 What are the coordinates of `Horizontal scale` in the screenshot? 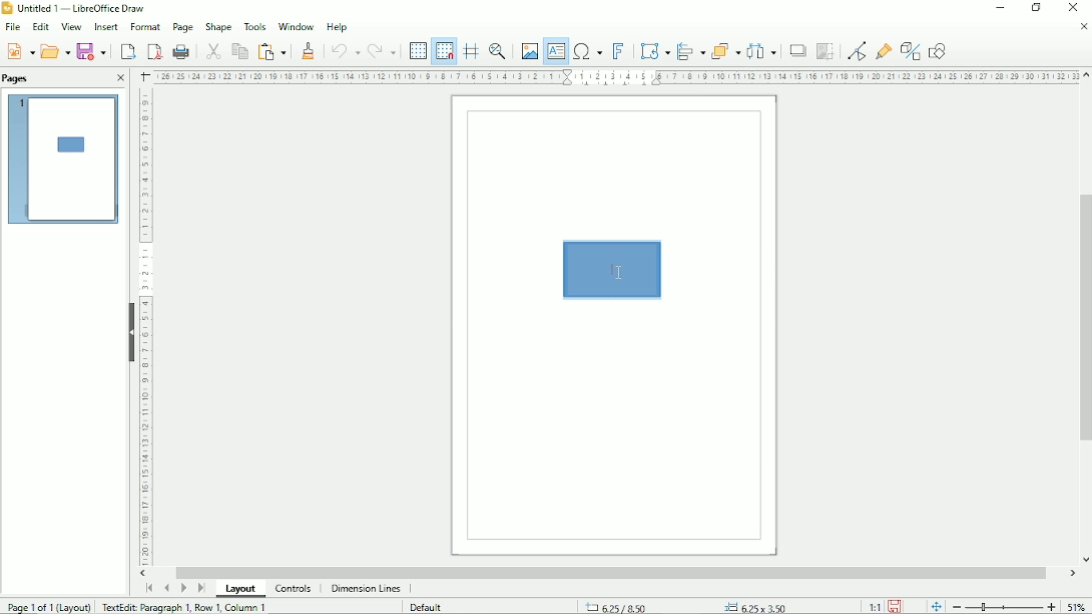 It's located at (617, 77).